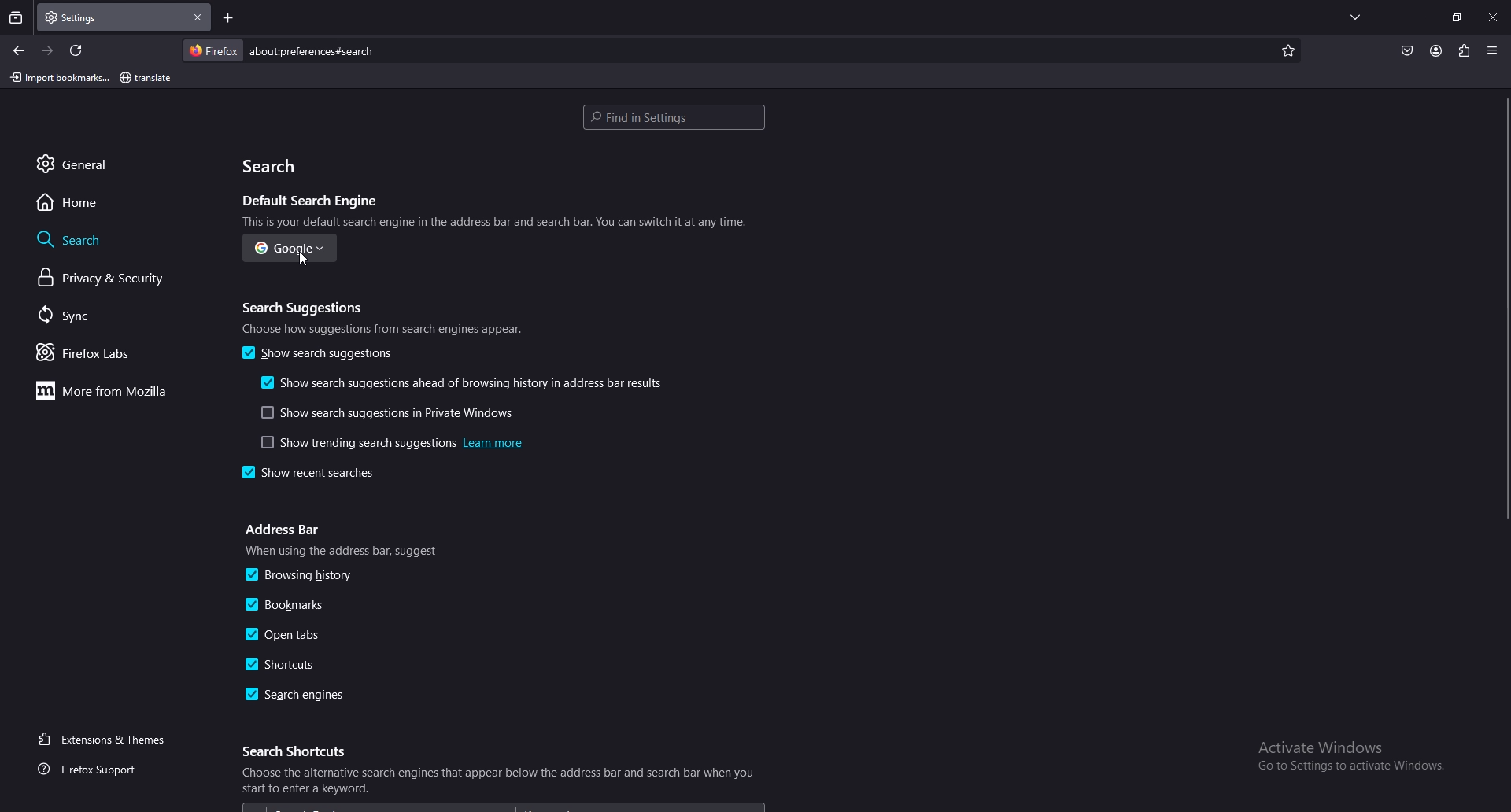 This screenshot has width=1511, height=812. I want to click on info, so click(346, 551).